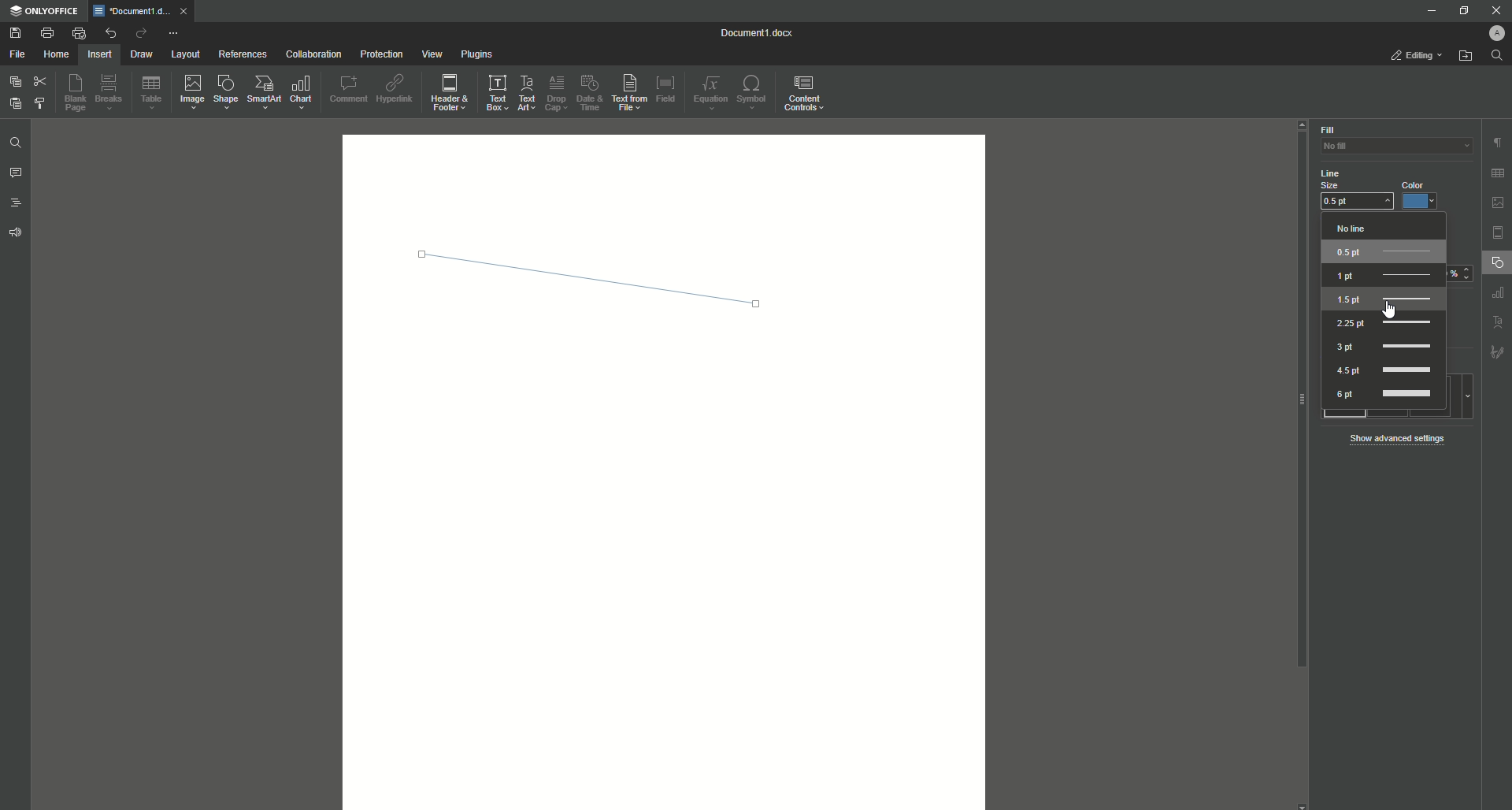  I want to click on Header and Footer, so click(451, 94).